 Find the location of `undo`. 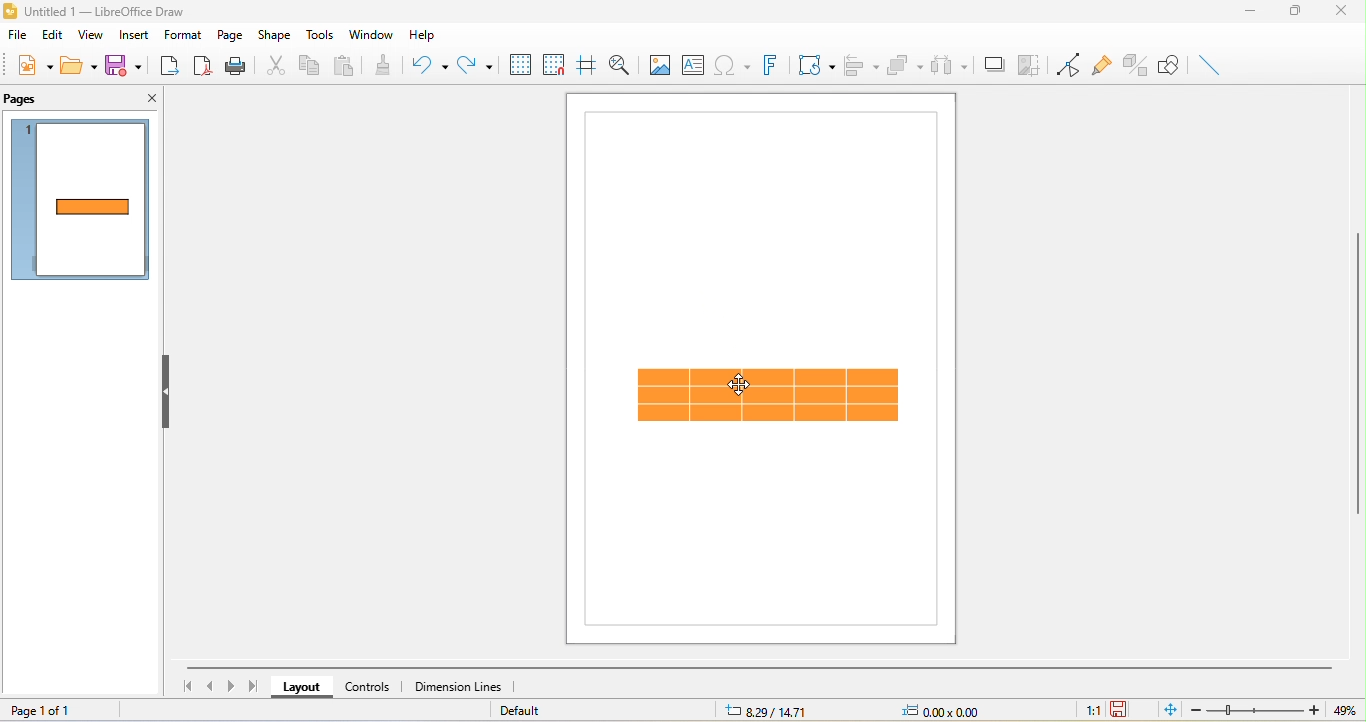

undo is located at coordinates (432, 67).